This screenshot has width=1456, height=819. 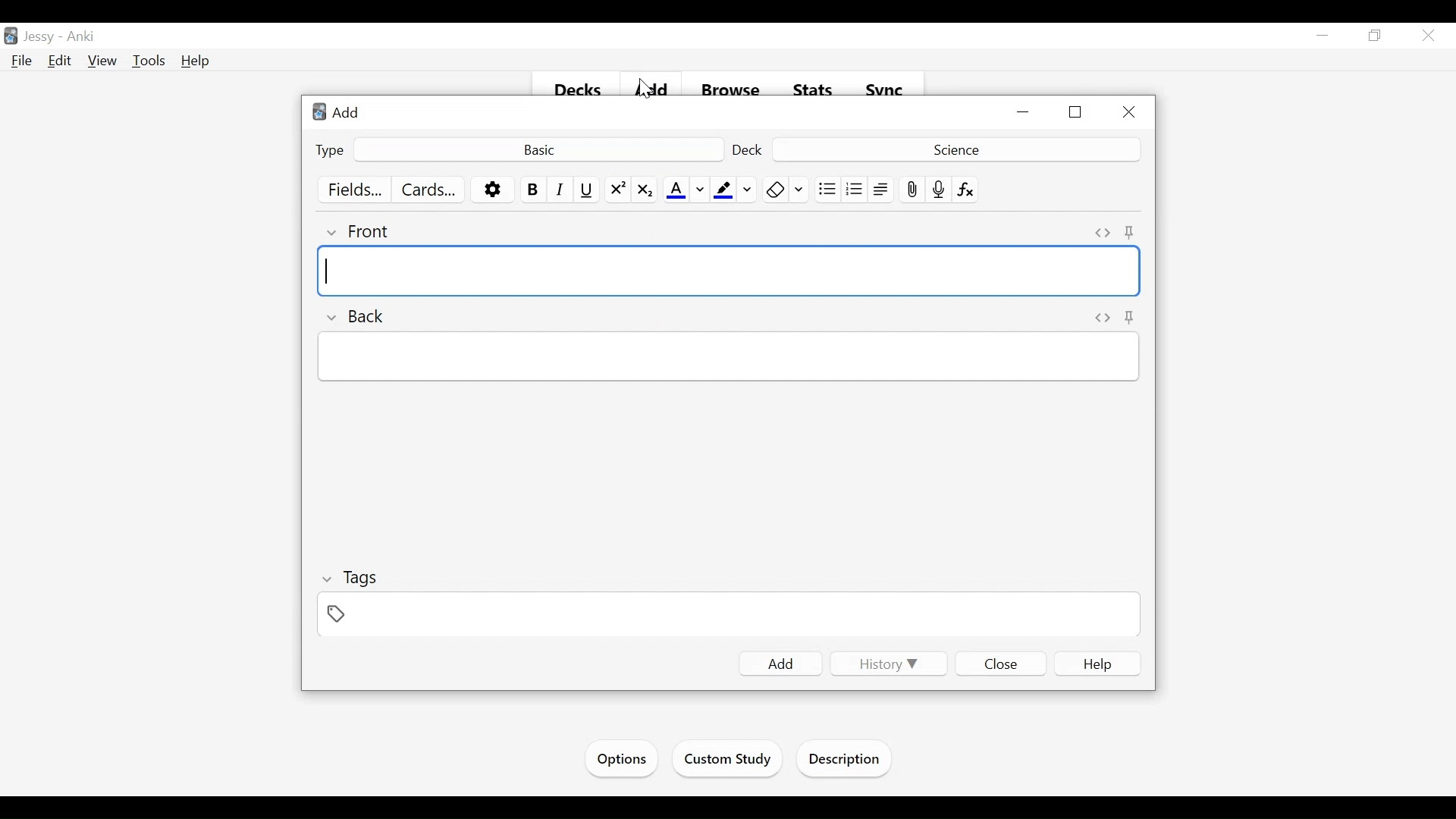 I want to click on Back Field, so click(x=727, y=356).